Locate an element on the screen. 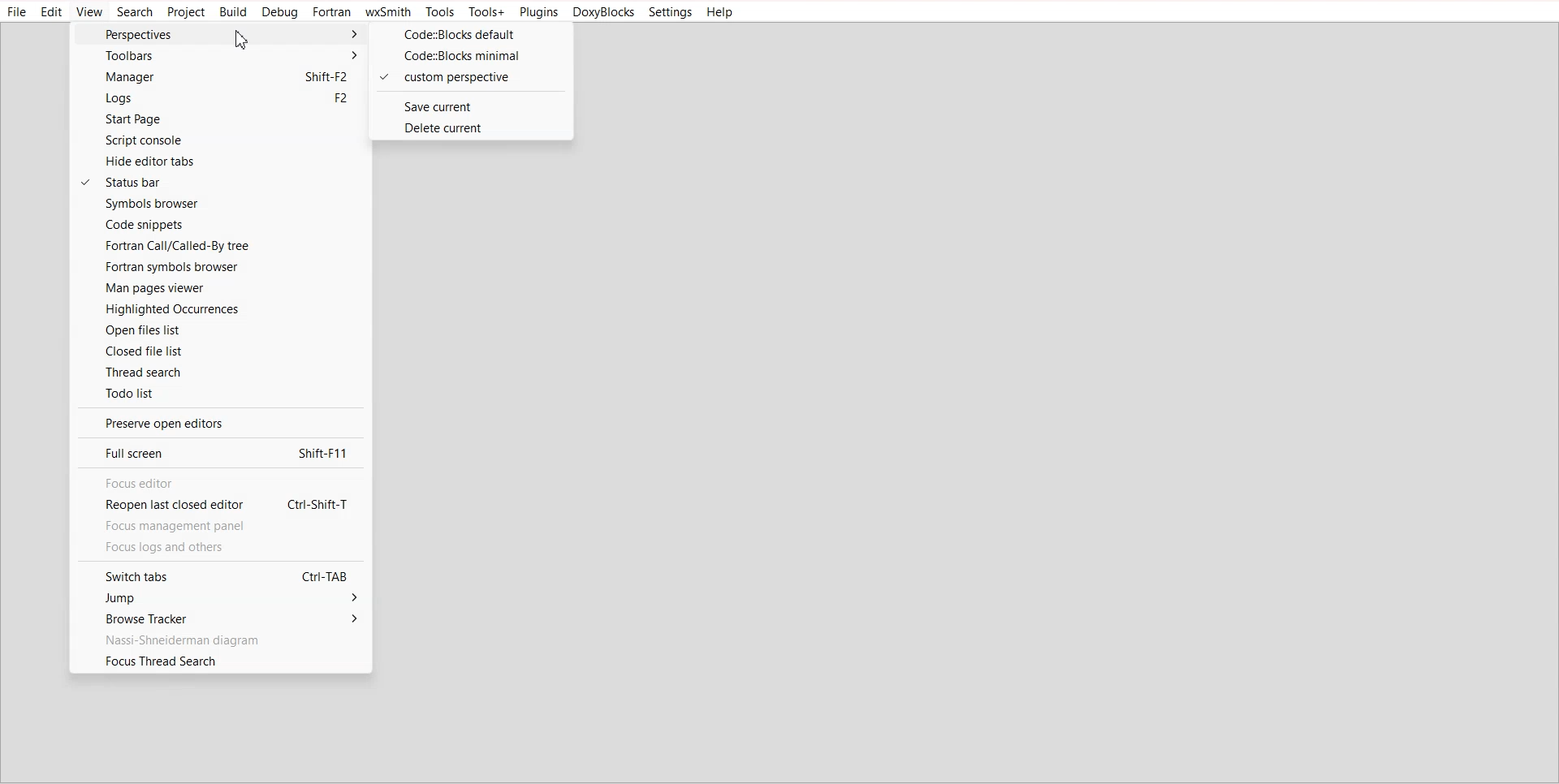 The image size is (1559, 784). Save current is located at coordinates (469, 106).